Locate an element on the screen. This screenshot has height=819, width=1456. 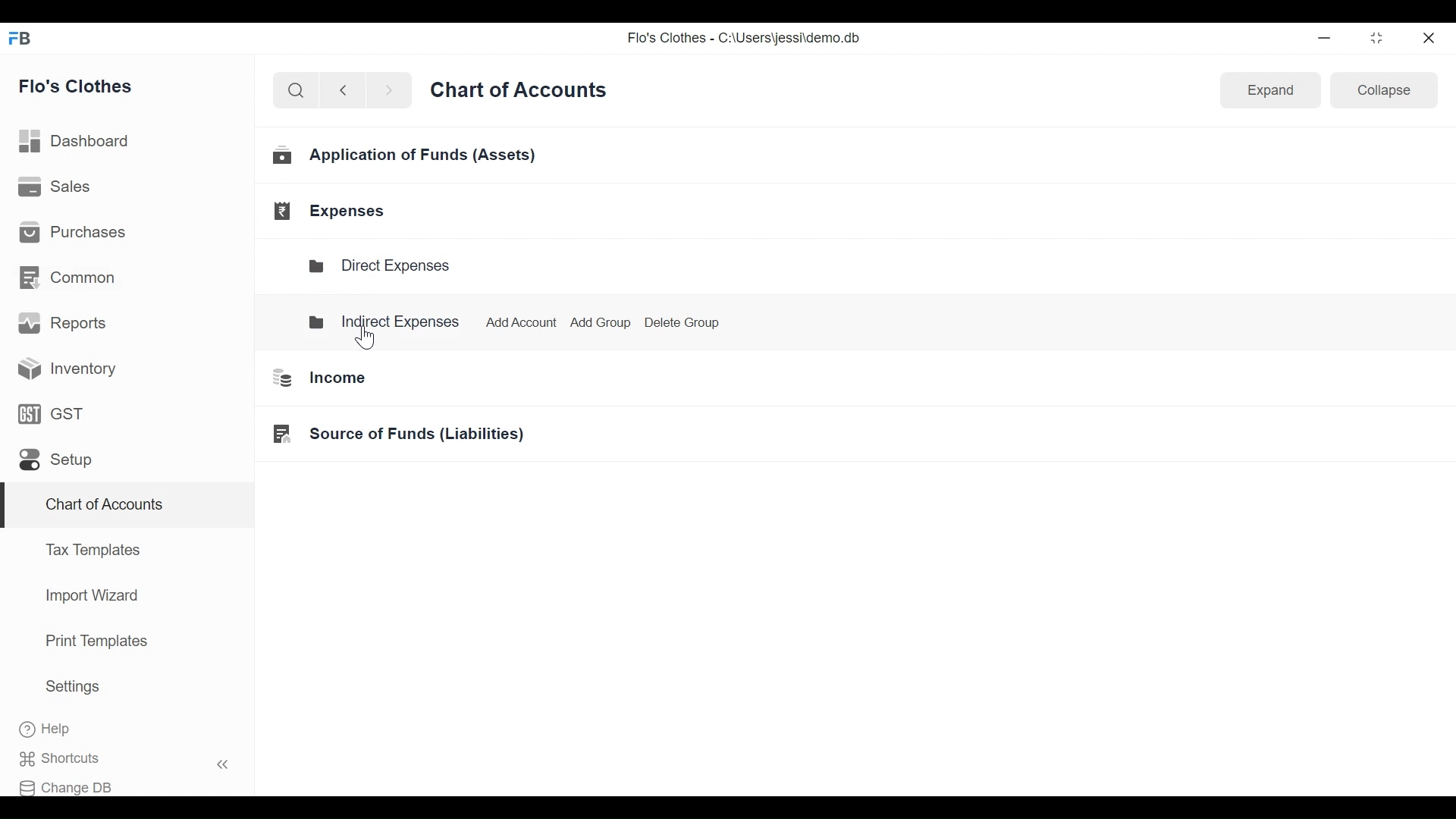
Settings is located at coordinates (72, 689).